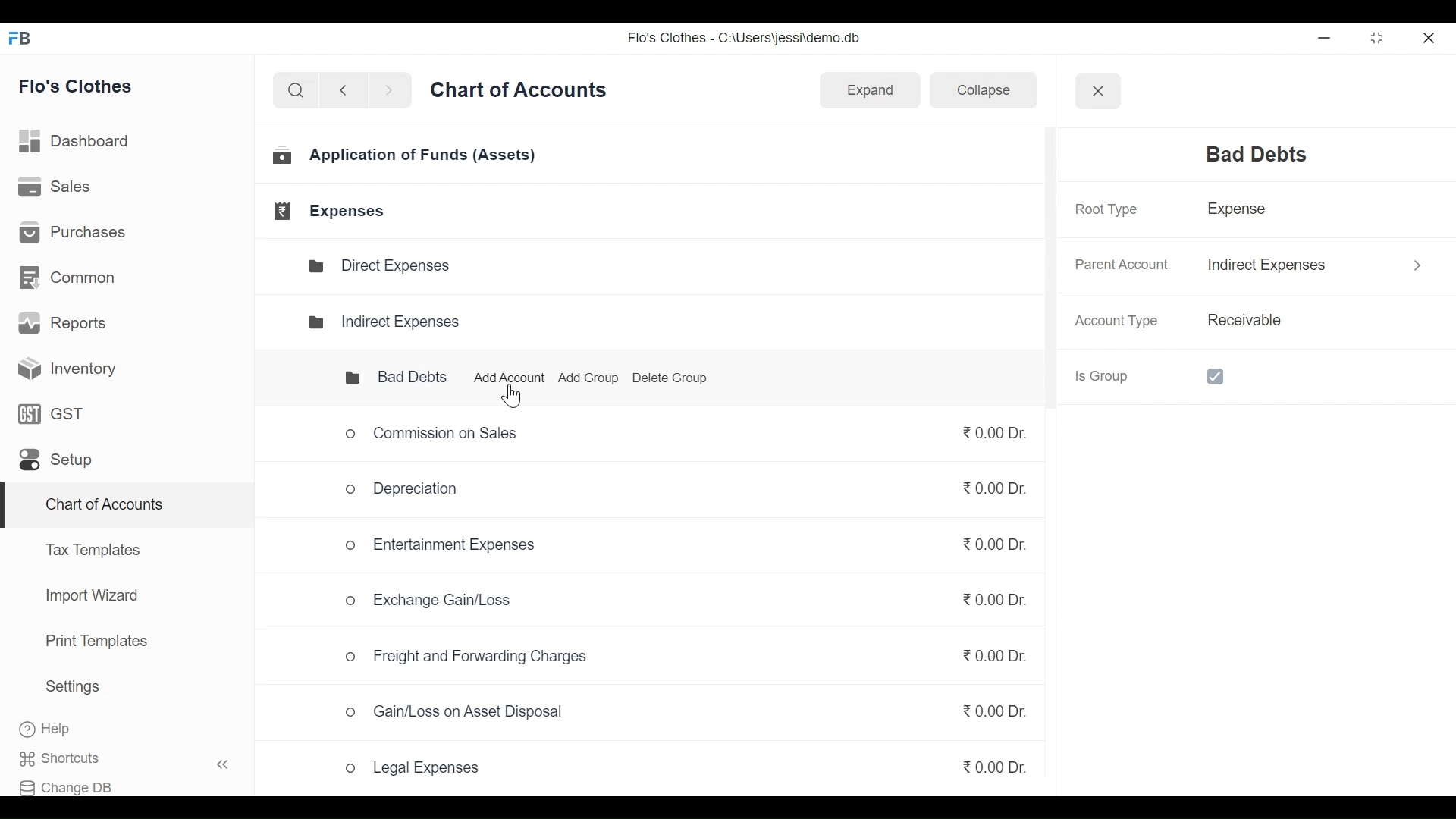  Describe the element at coordinates (77, 234) in the screenshot. I see `Purchases` at that location.